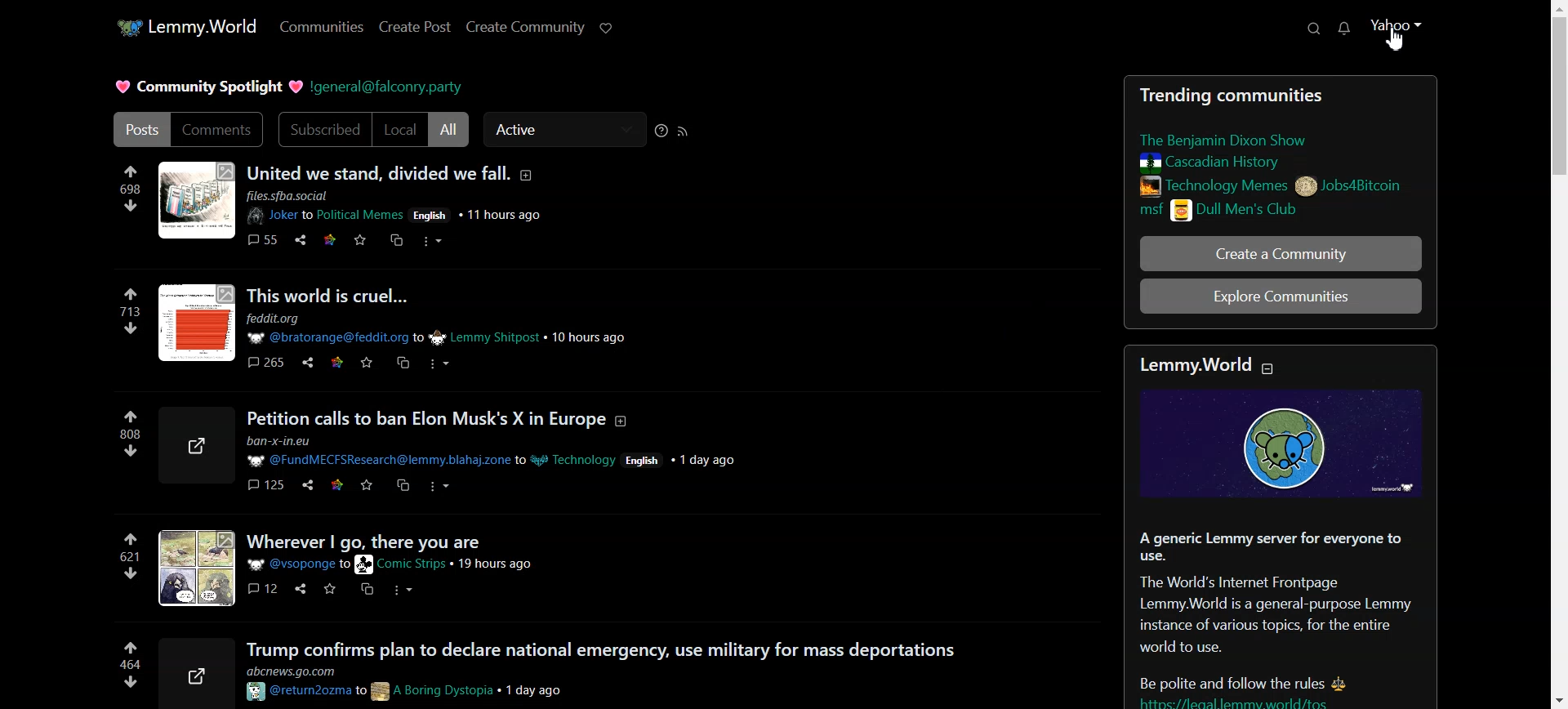 The image size is (1568, 709). What do you see at coordinates (124, 190) in the screenshot?
I see `698` at bounding box center [124, 190].